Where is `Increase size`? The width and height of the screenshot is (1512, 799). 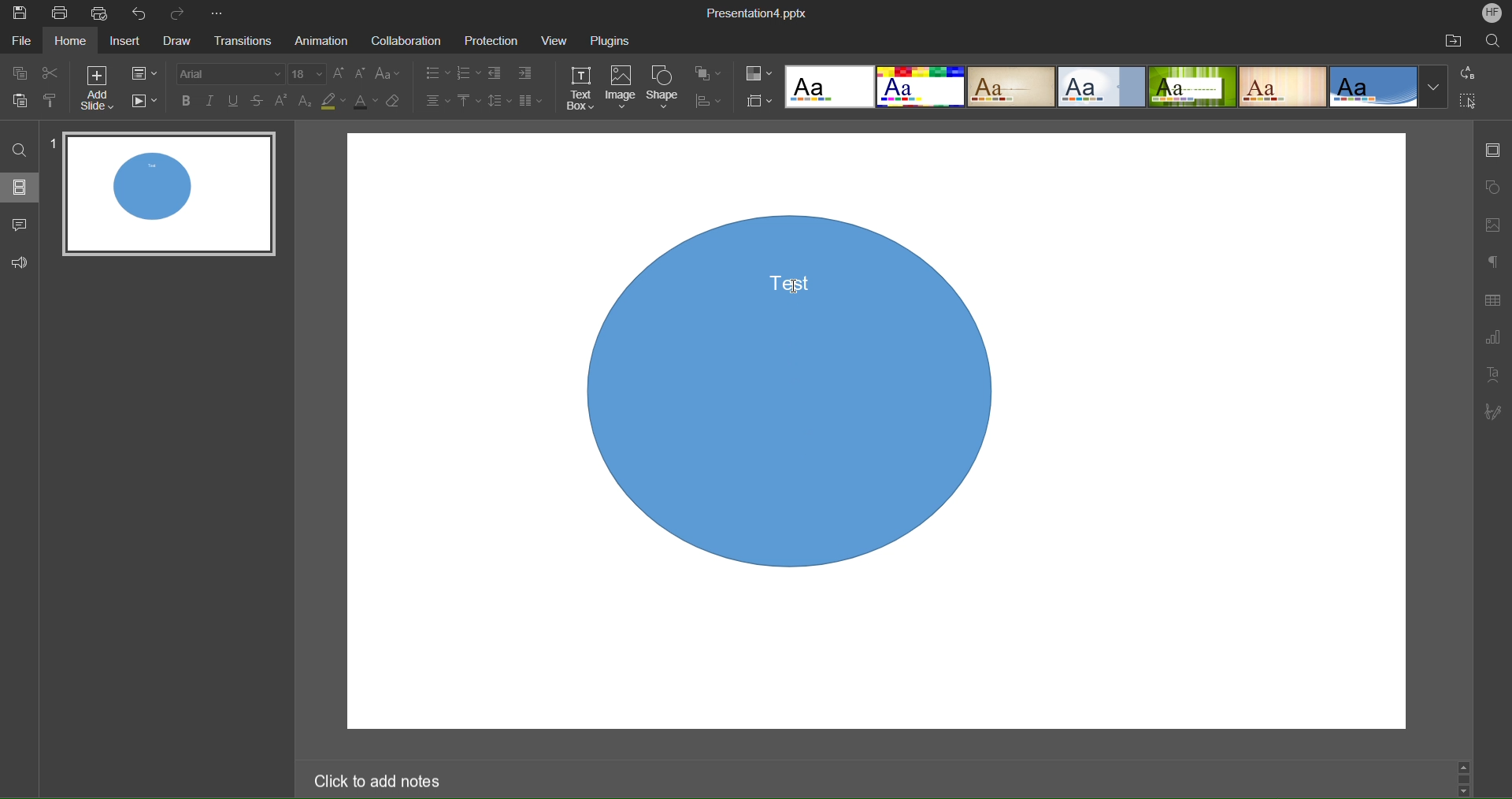 Increase size is located at coordinates (338, 73).